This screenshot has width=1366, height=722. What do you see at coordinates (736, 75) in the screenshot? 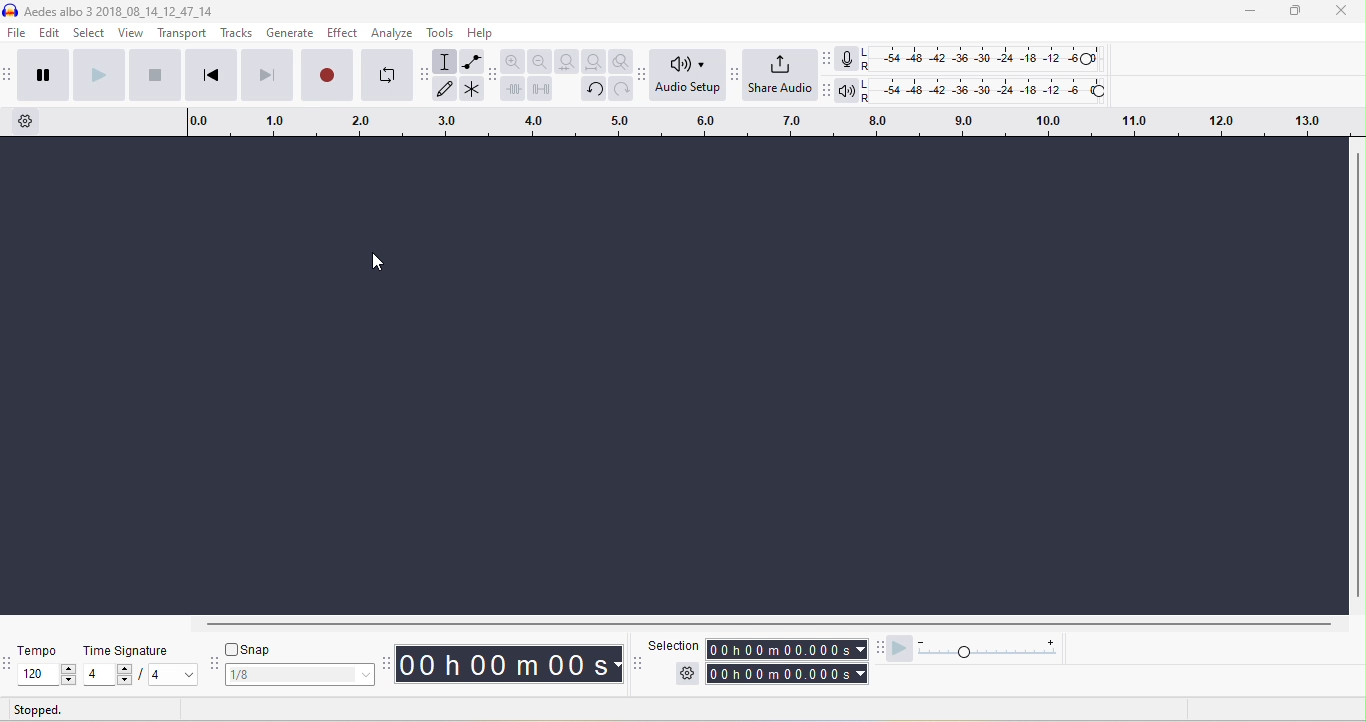
I see `Audacity share audio toolbar` at bounding box center [736, 75].